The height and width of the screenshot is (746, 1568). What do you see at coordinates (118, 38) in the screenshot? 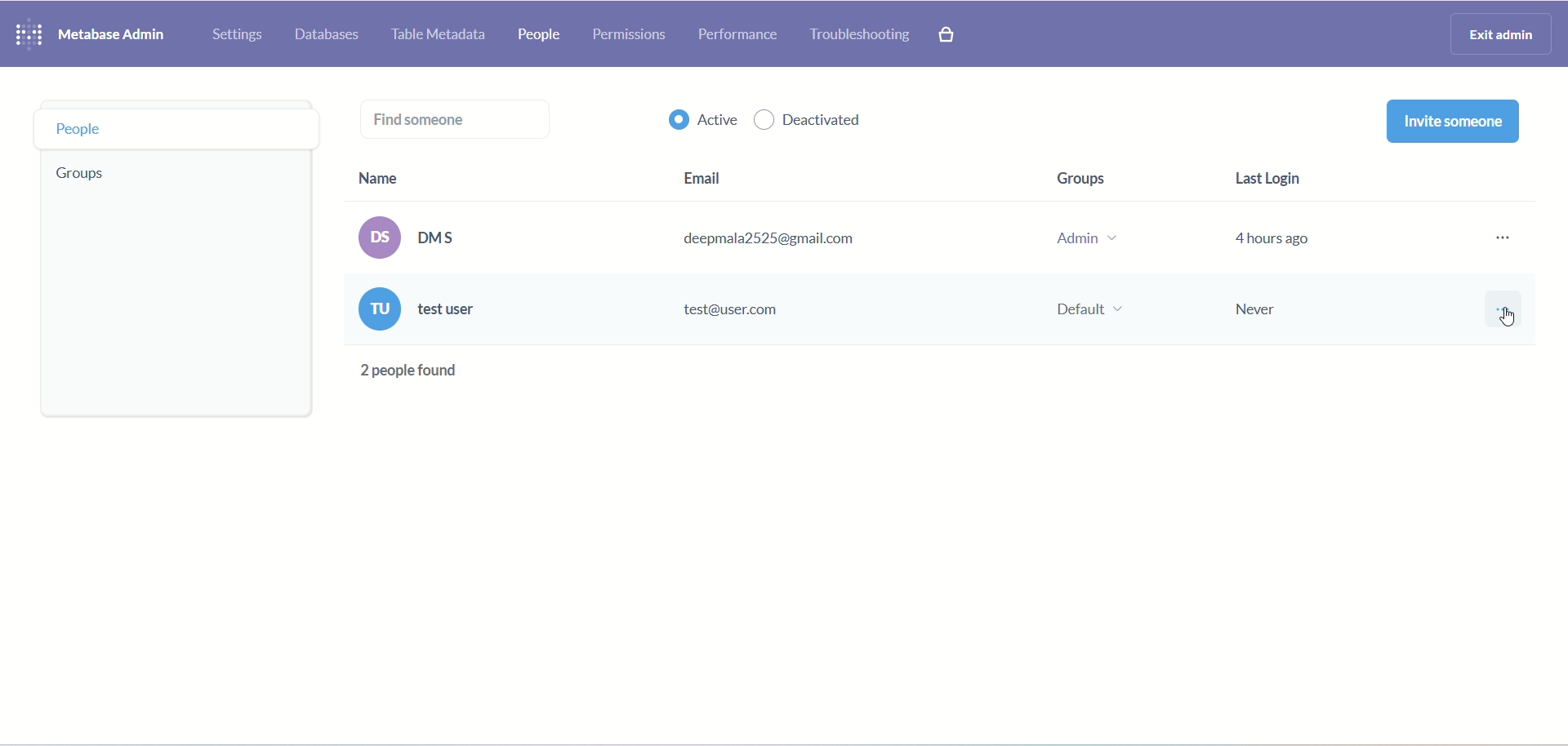
I see `metabase admin` at bounding box center [118, 38].